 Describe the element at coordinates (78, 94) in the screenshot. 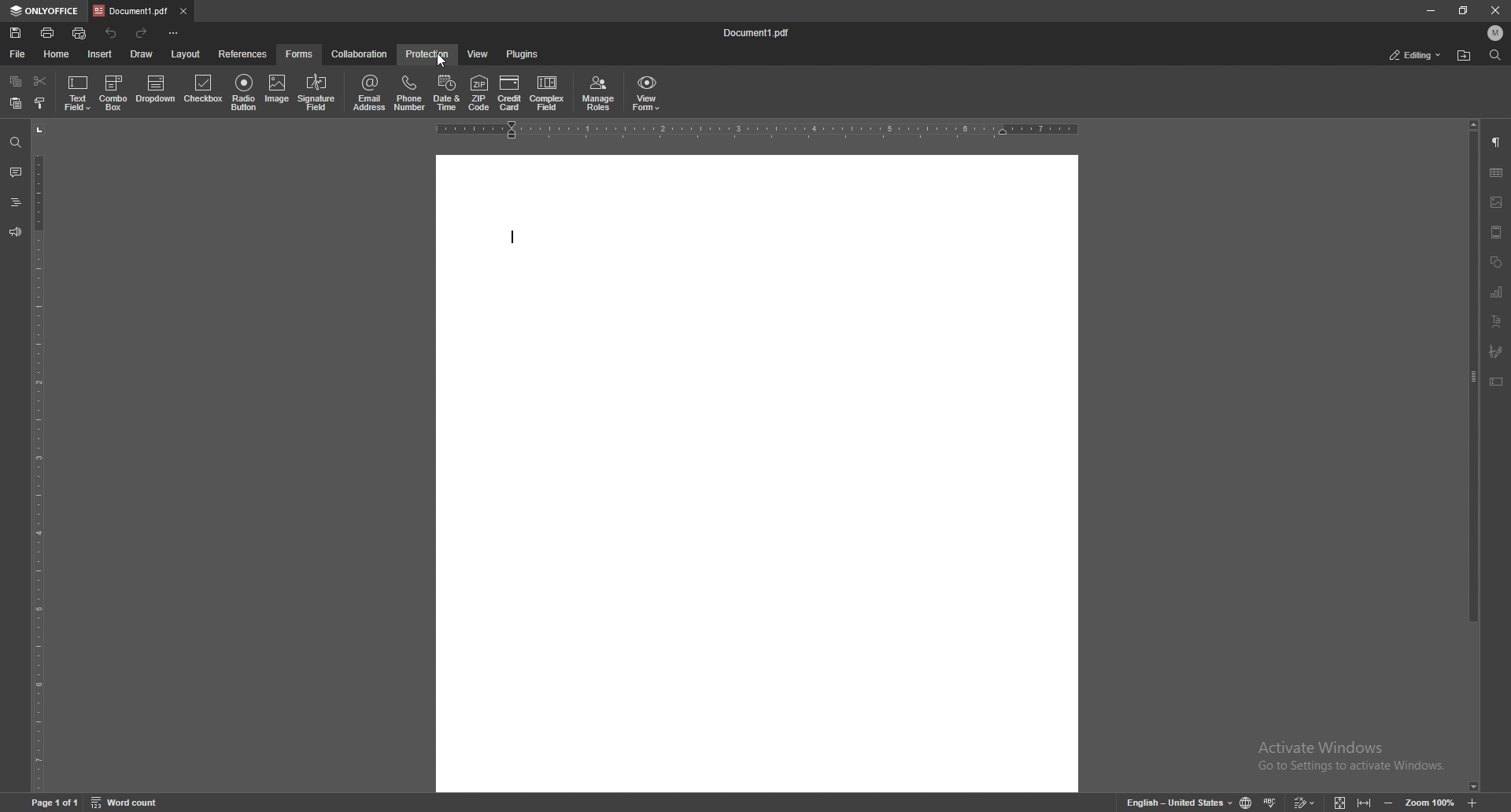

I see `text field` at that location.